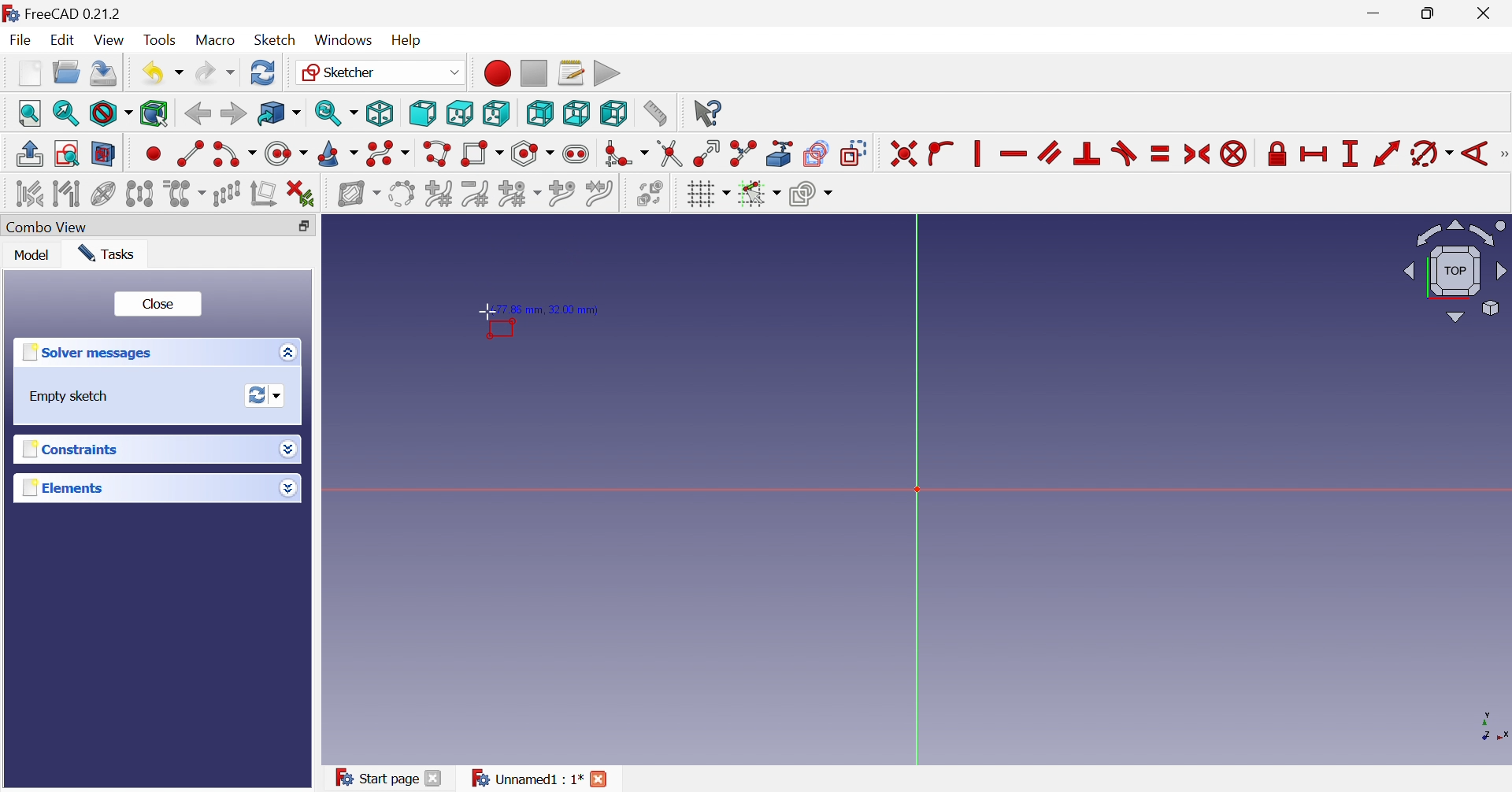  I want to click on Front, so click(422, 113).